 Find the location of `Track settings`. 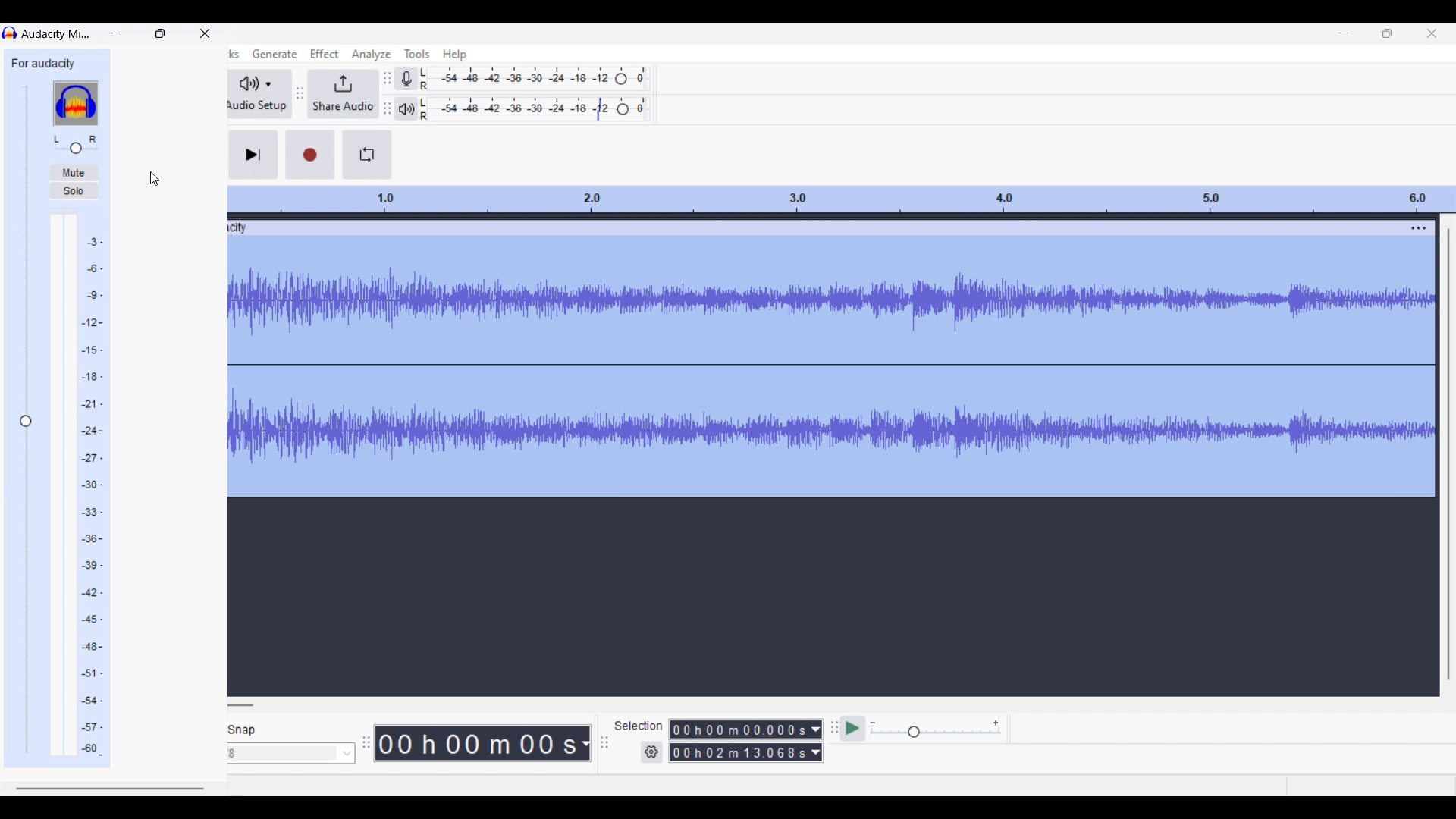

Track settings is located at coordinates (1419, 227).